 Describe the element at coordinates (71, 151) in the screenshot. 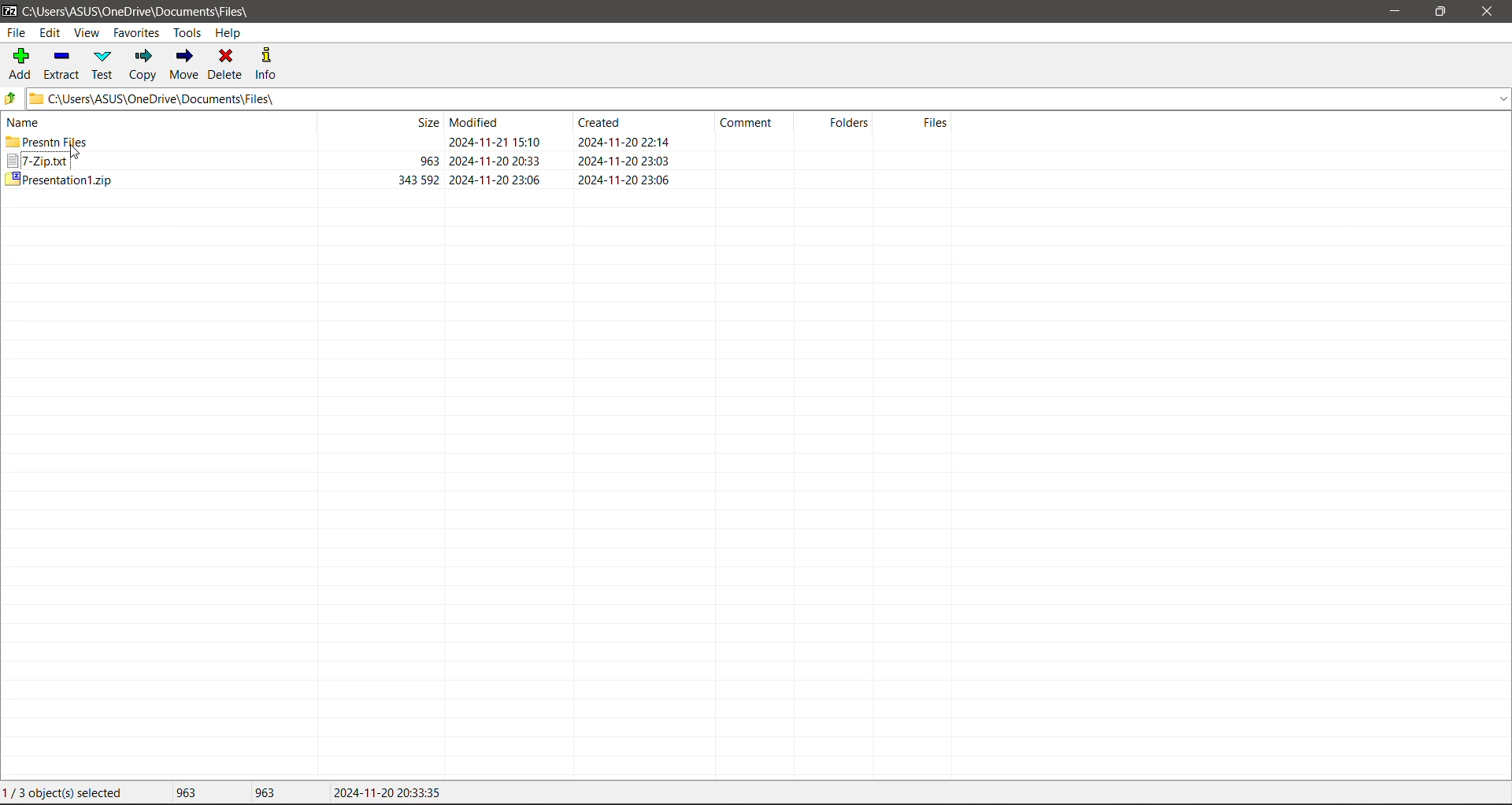

I see `cursor` at that location.